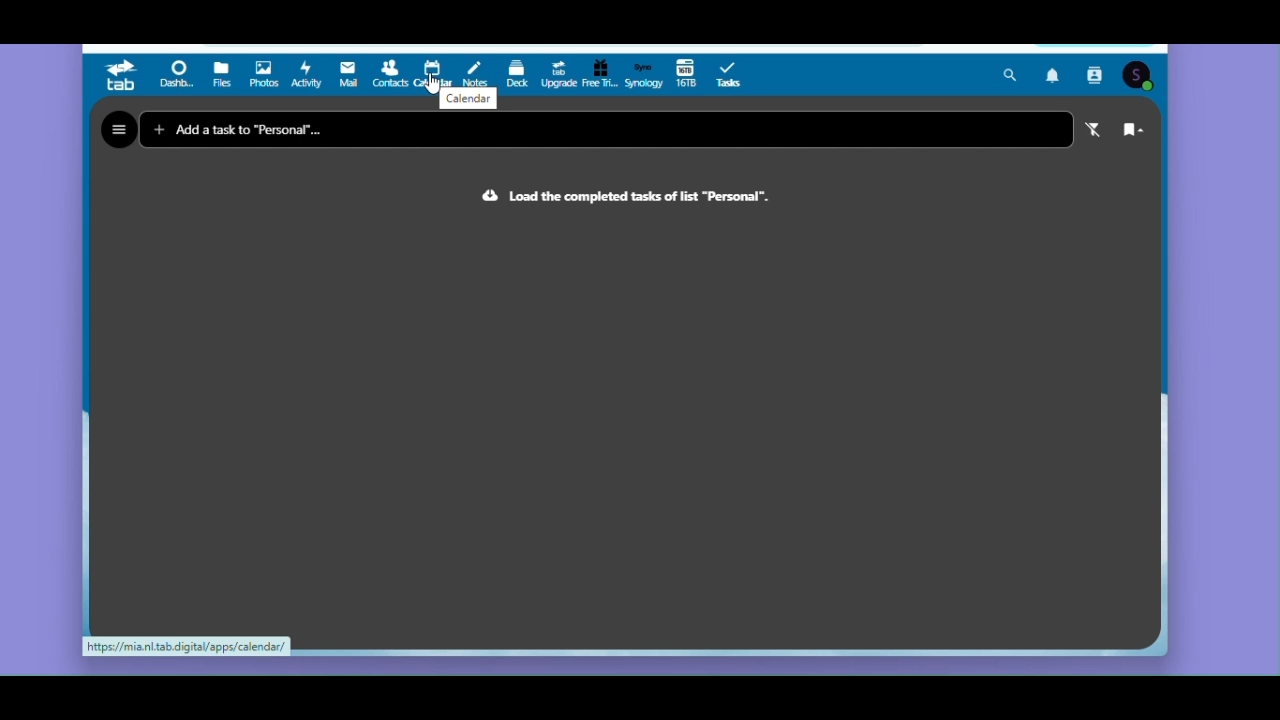 Image resolution: width=1280 pixels, height=720 pixels. Describe the element at coordinates (599, 76) in the screenshot. I see `Free trial` at that location.